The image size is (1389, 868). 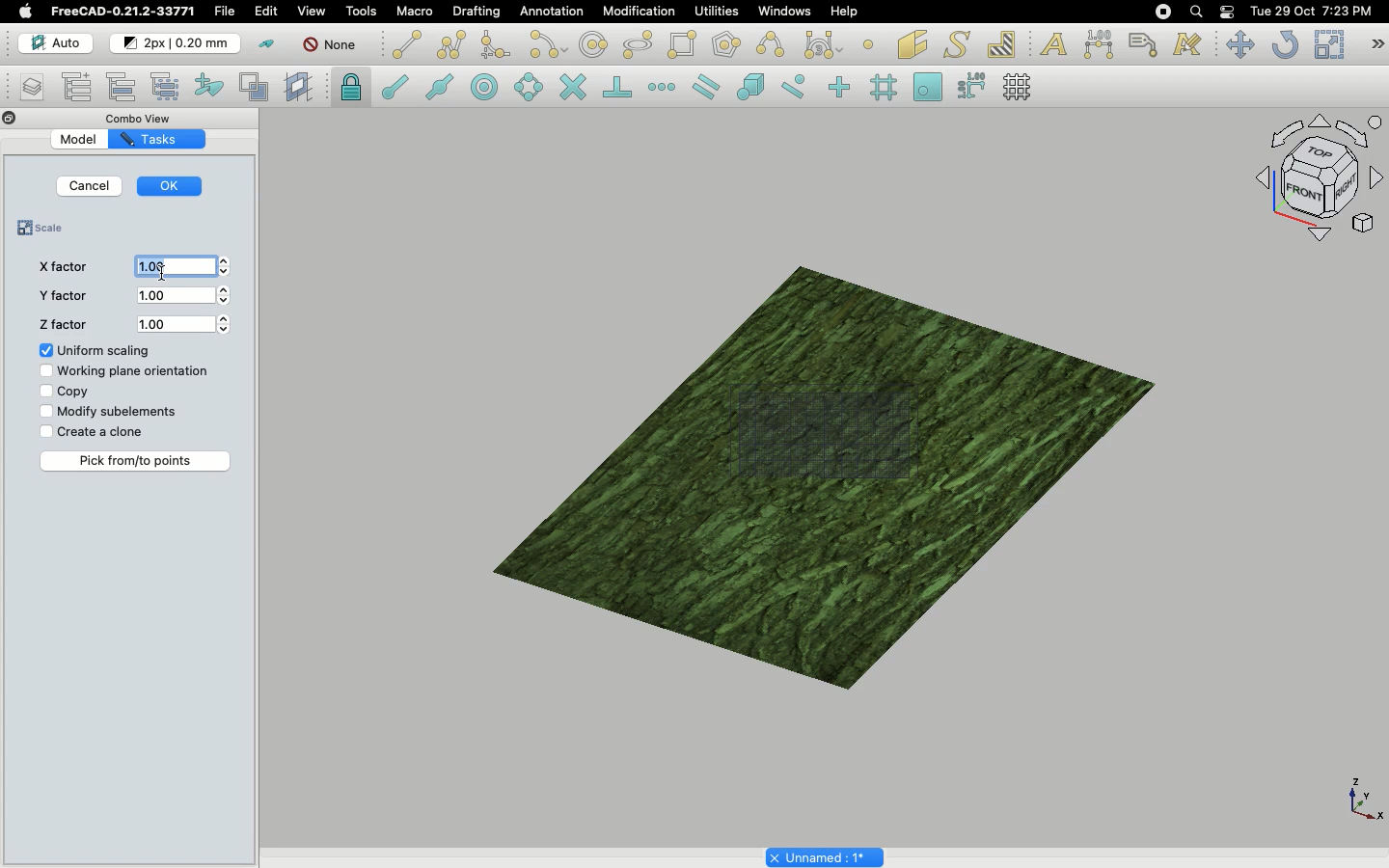 What do you see at coordinates (301, 89) in the screenshot?
I see `Create working plane proxy` at bounding box center [301, 89].